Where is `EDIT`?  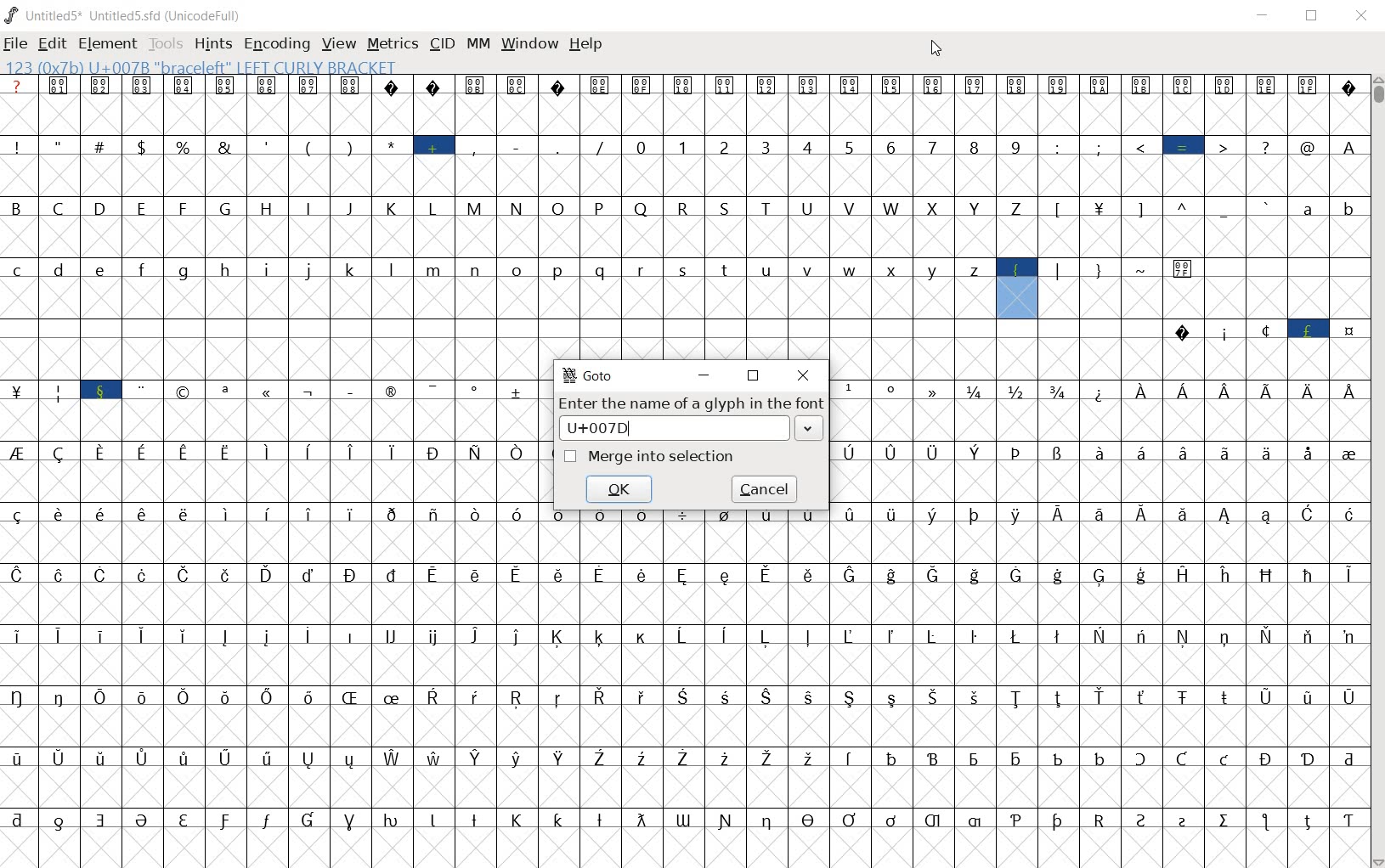 EDIT is located at coordinates (52, 45).